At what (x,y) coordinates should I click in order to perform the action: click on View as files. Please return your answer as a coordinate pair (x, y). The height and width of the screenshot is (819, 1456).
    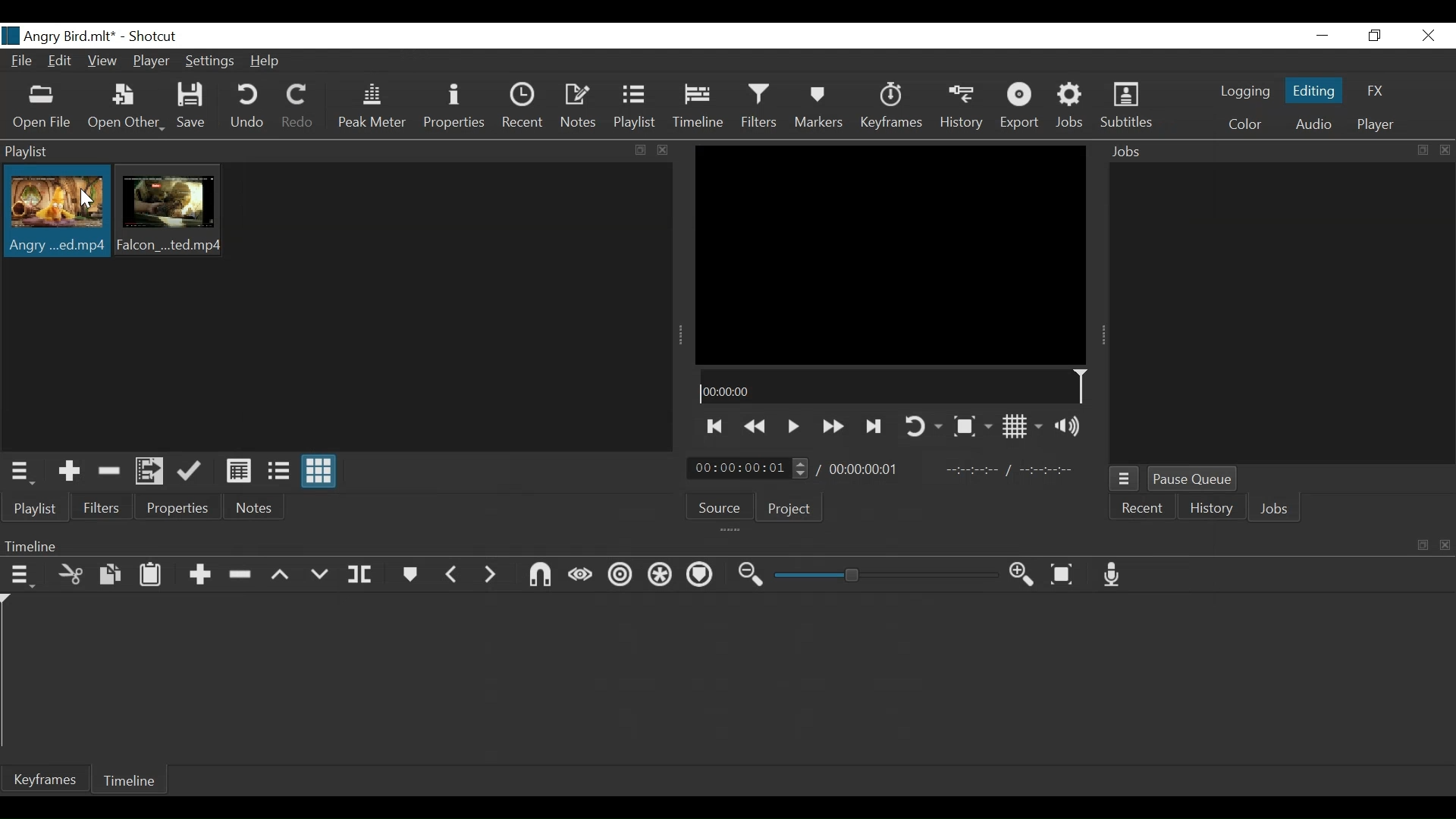
    Looking at the image, I should click on (280, 469).